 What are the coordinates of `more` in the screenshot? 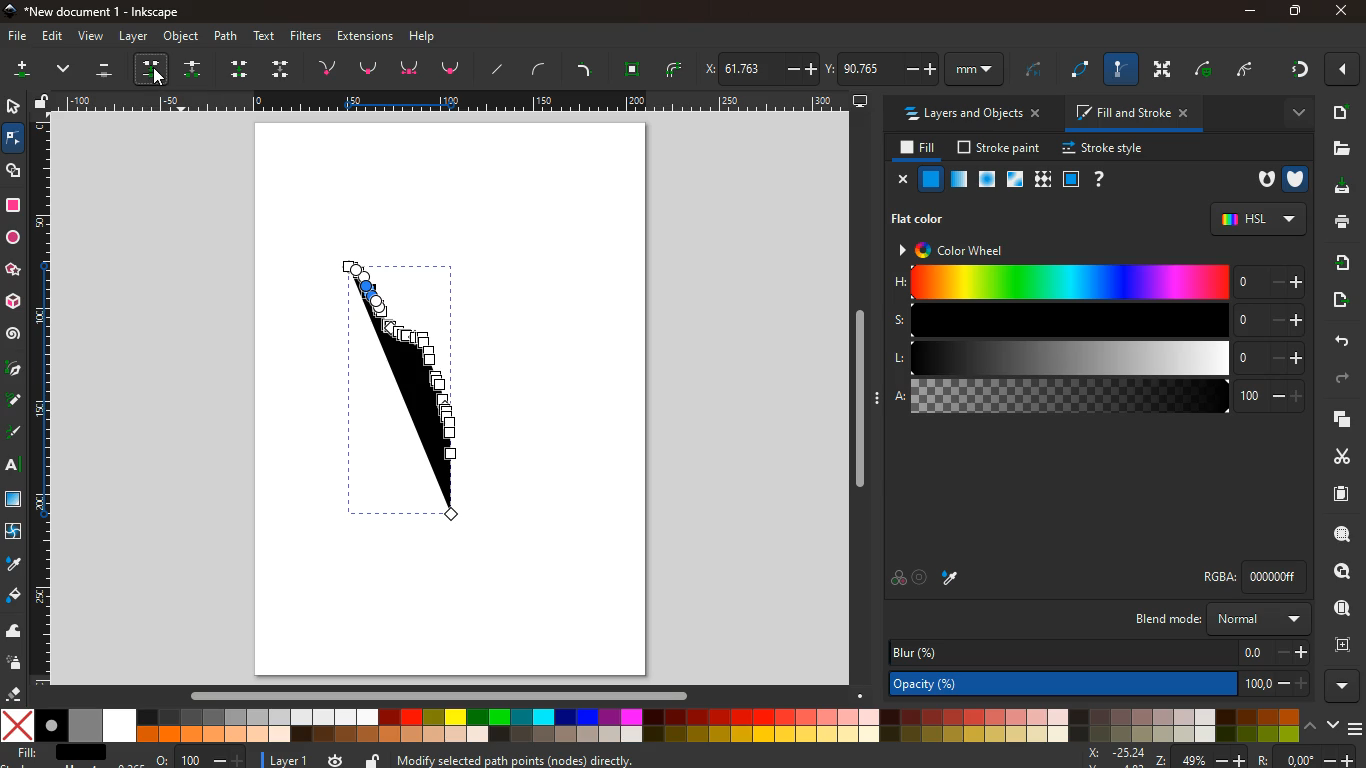 It's located at (21, 72).